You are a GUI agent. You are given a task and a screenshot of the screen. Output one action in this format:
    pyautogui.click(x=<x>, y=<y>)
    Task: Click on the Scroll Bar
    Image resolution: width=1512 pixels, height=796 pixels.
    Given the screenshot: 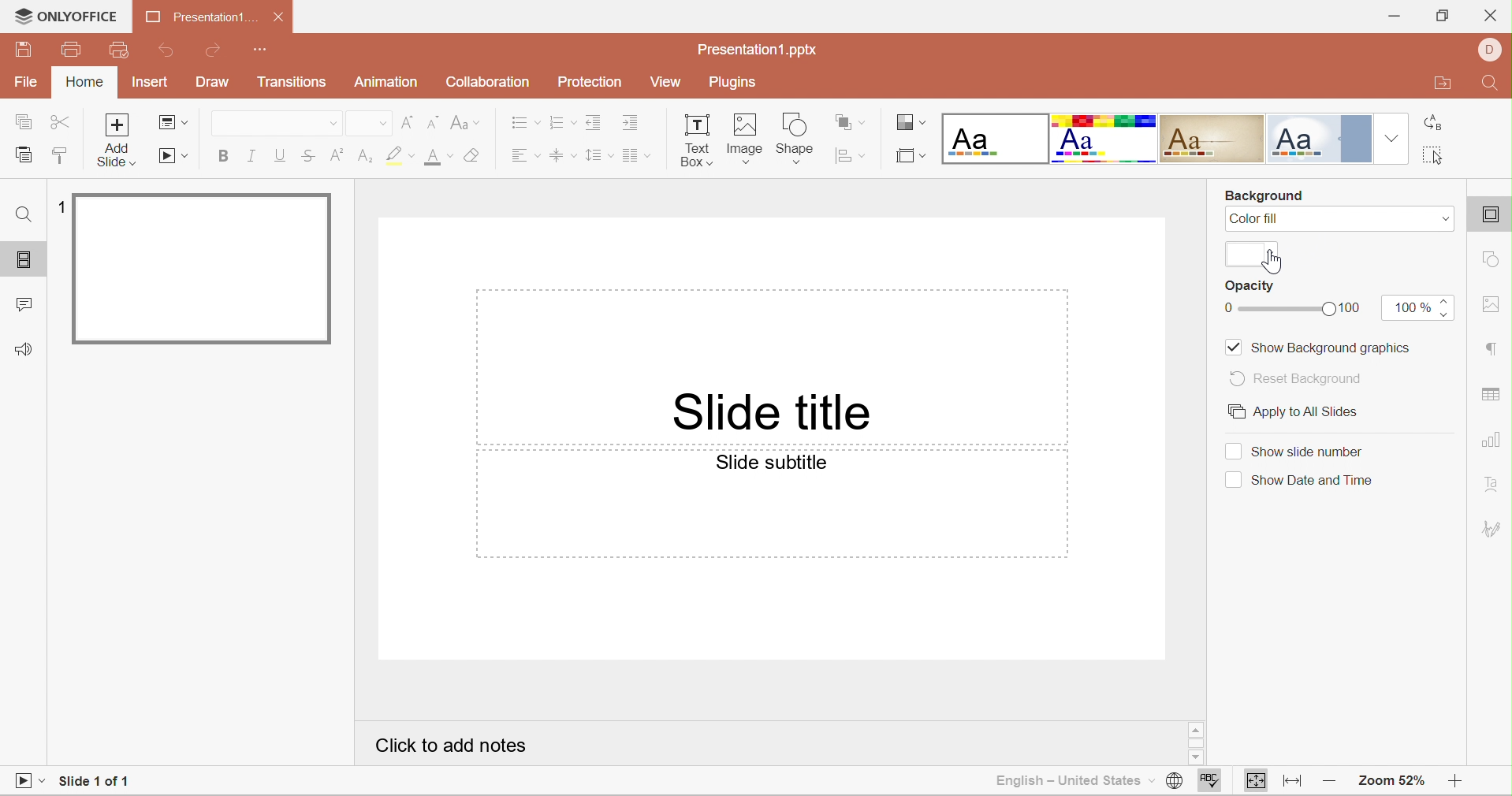 What is the action you would take?
    pyautogui.click(x=1456, y=746)
    